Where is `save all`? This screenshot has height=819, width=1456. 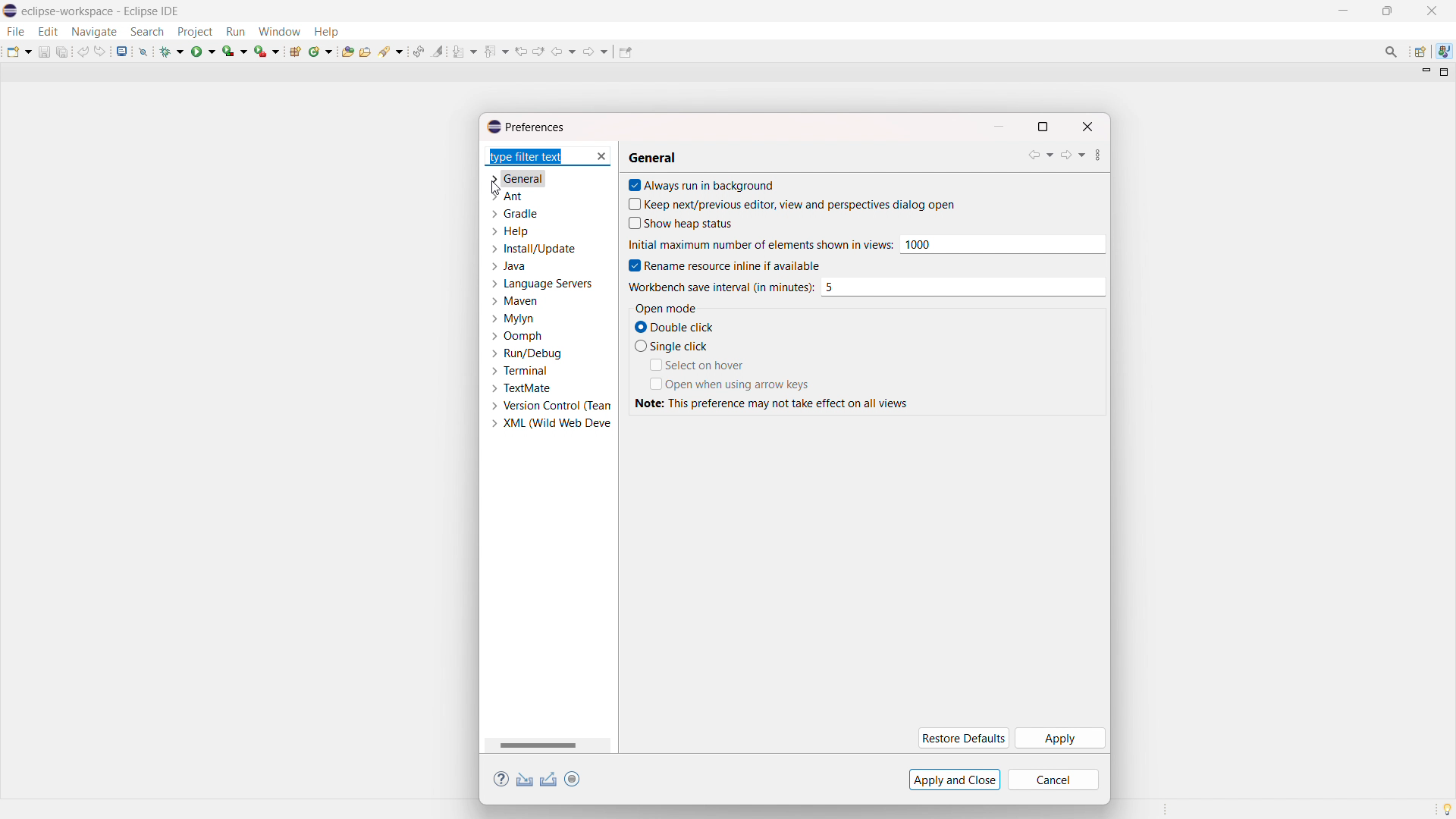
save all is located at coordinates (64, 51).